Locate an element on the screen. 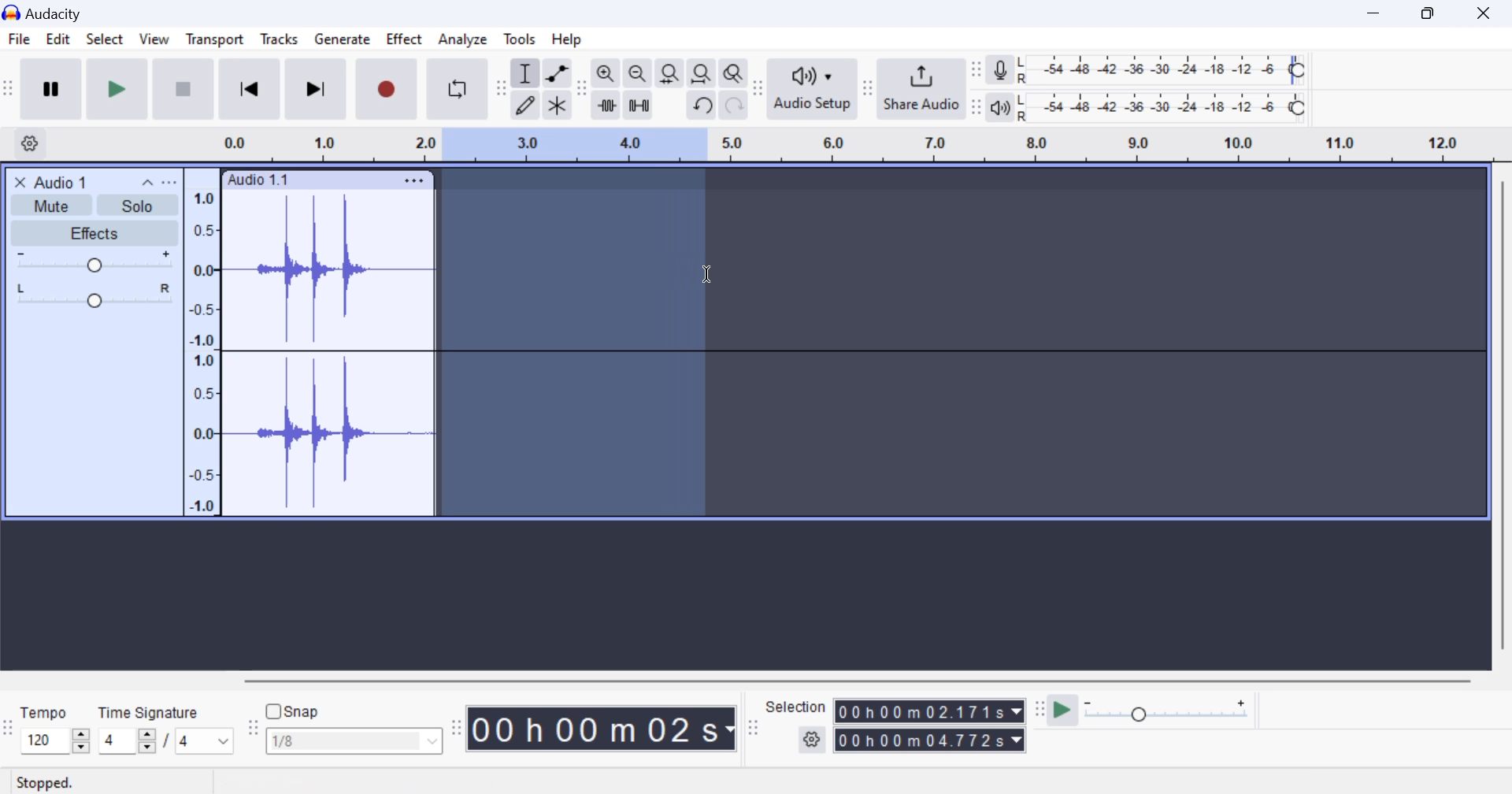 This screenshot has width=1512, height=794. Time Signature is located at coordinates (150, 710).